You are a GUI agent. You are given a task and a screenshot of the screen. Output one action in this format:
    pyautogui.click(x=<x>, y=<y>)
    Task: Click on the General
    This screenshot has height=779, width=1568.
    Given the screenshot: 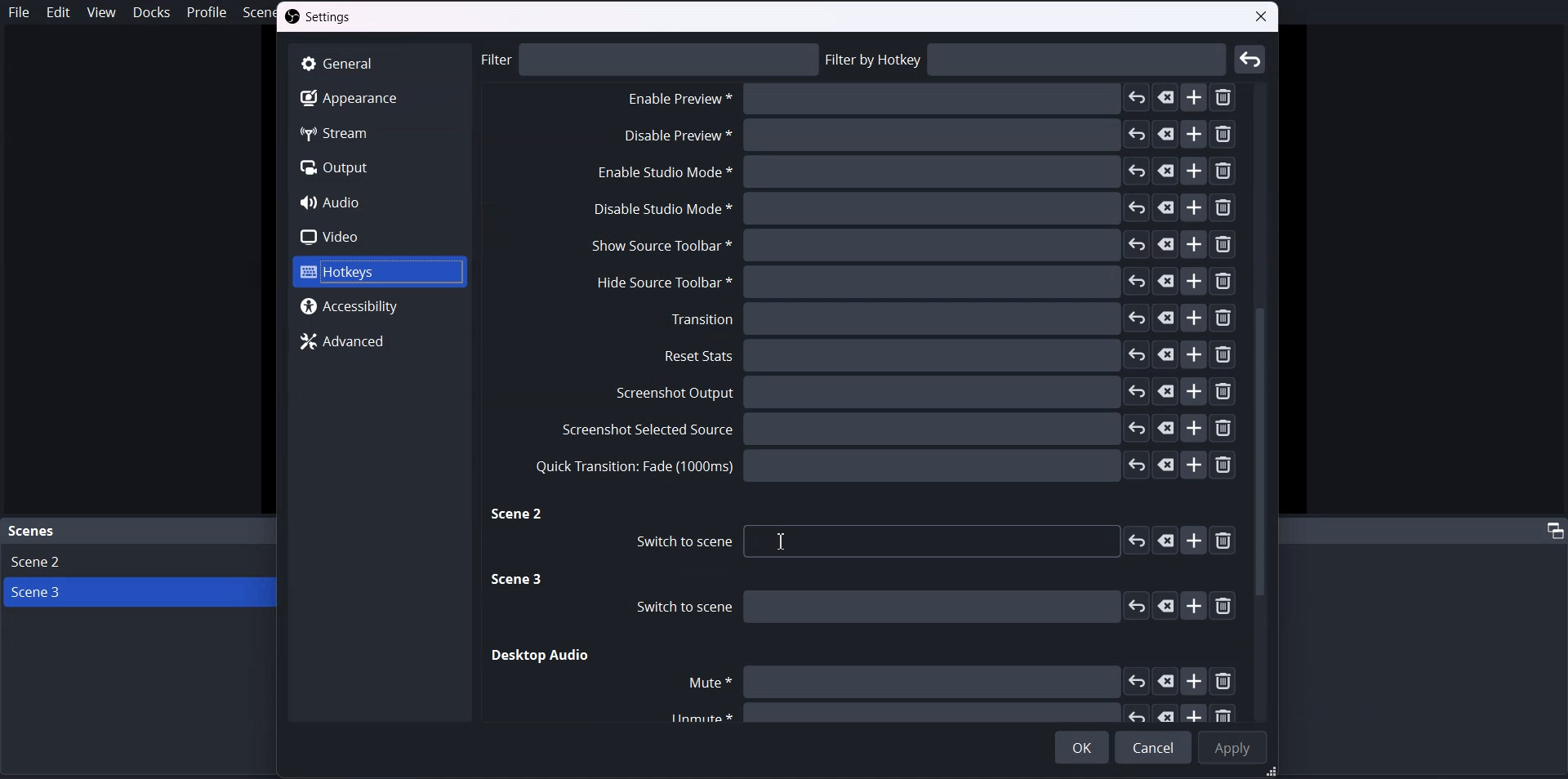 What is the action you would take?
    pyautogui.click(x=378, y=63)
    